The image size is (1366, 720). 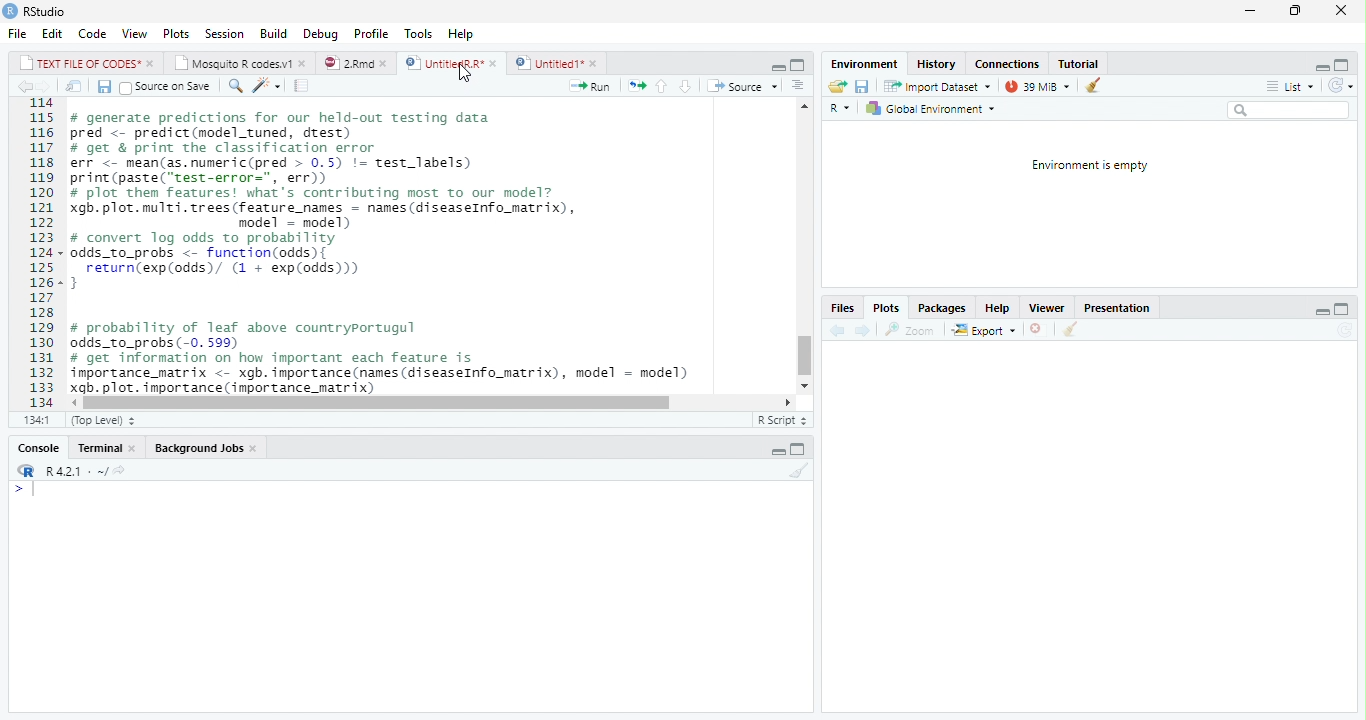 What do you see at coordinates (1092, 86) in the screenshot?
I see `Clean` at bounding box center [1092, 86].